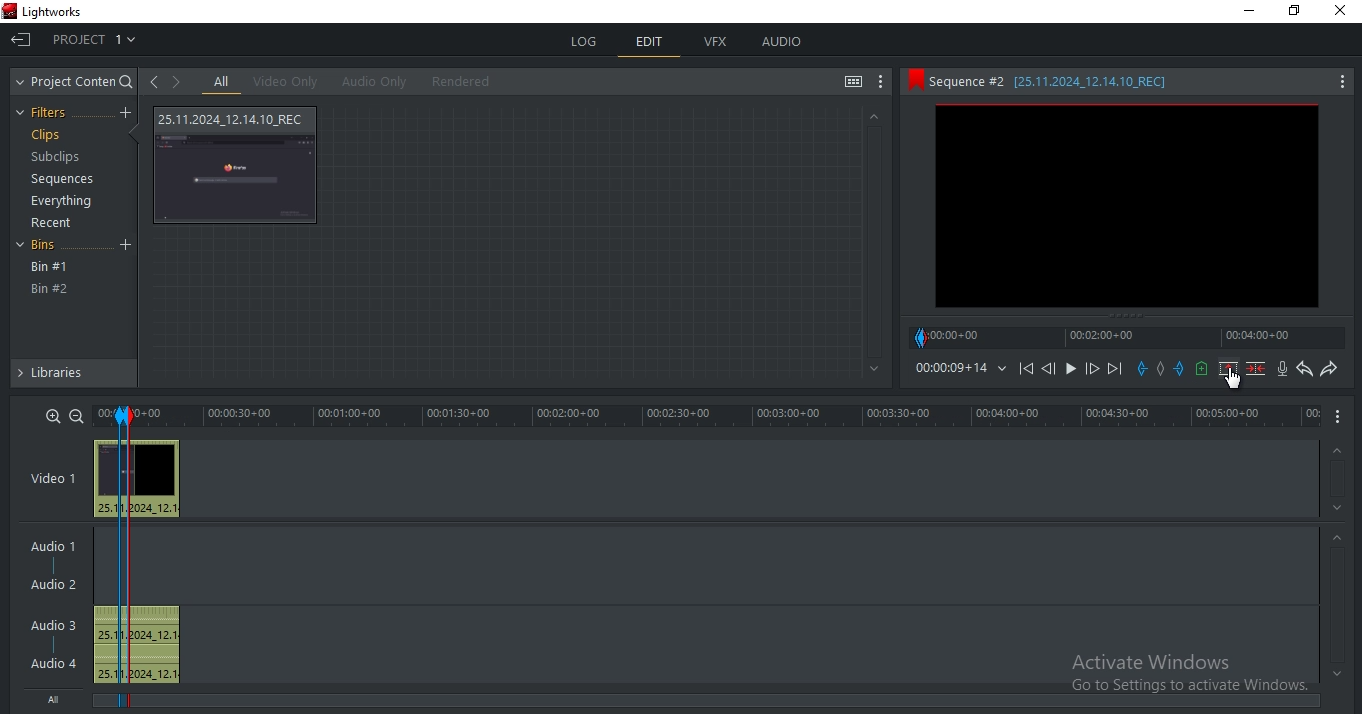 Image resolution: width=1362 pixels, height=714 pixels. What do you see at coordinates (882, 84) in the screenshot?
I see `show settings menu` at bounding box center [882, 84].